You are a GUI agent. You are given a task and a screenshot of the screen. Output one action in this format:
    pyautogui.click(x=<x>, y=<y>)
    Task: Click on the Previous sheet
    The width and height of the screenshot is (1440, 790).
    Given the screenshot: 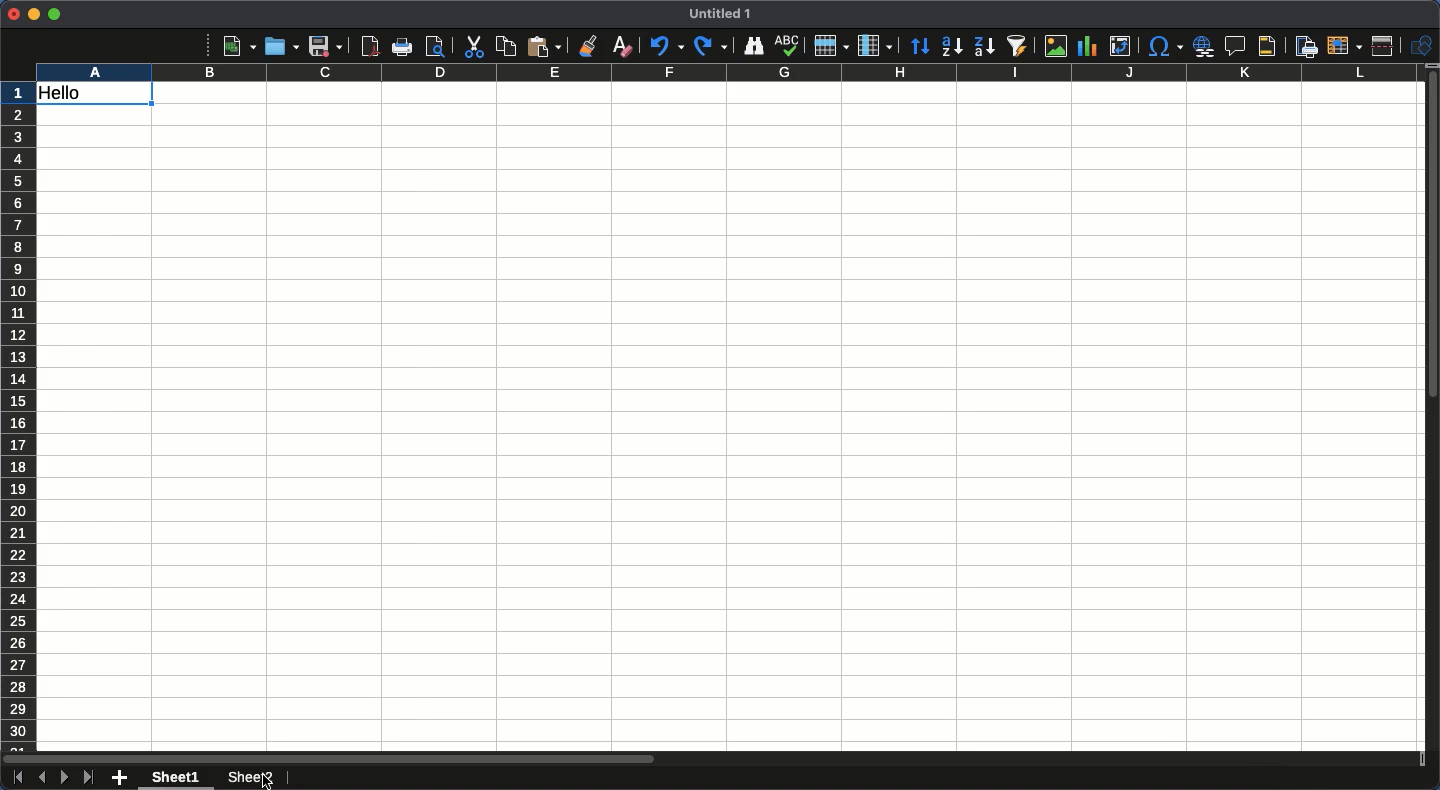 What is the action you would take?
    pyautogui.click(x=41, y=777)
    